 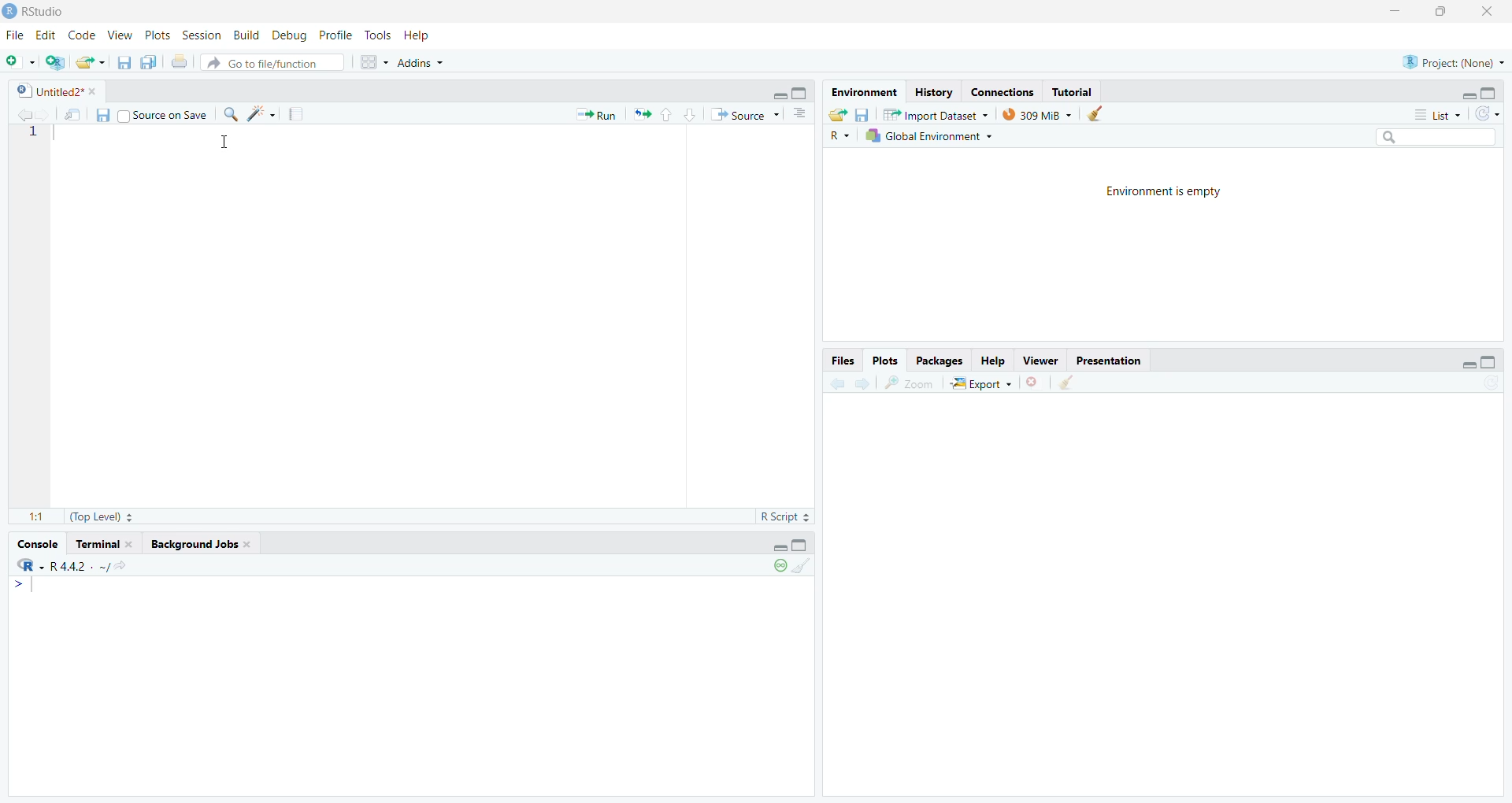 What do you see at coordinates (910, 384) in the screenshot?
I see `zoom` at bounding box center [910, 384].